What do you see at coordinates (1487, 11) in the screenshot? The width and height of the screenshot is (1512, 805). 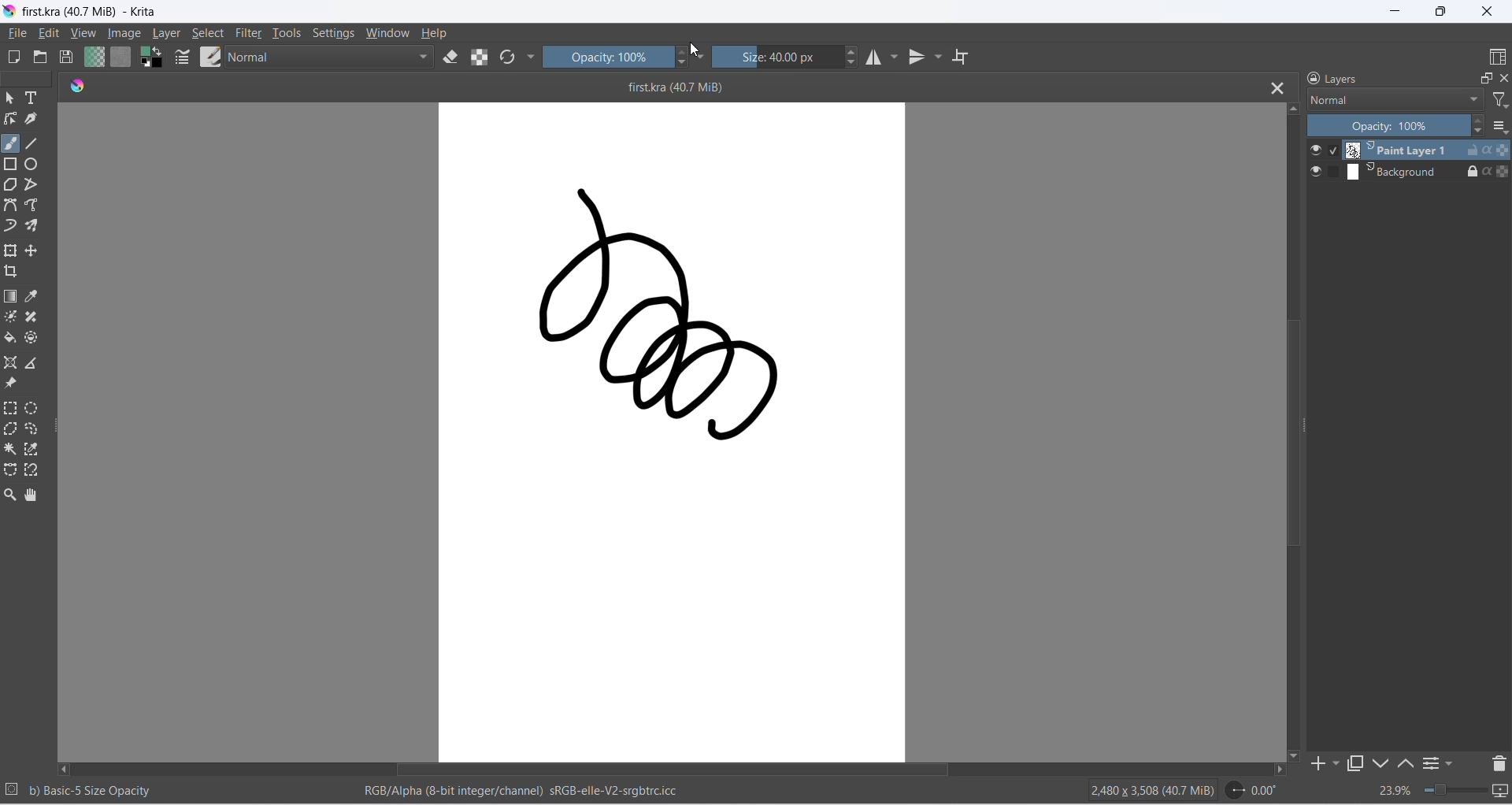 I see `close` at bounding box center [1487, 11].